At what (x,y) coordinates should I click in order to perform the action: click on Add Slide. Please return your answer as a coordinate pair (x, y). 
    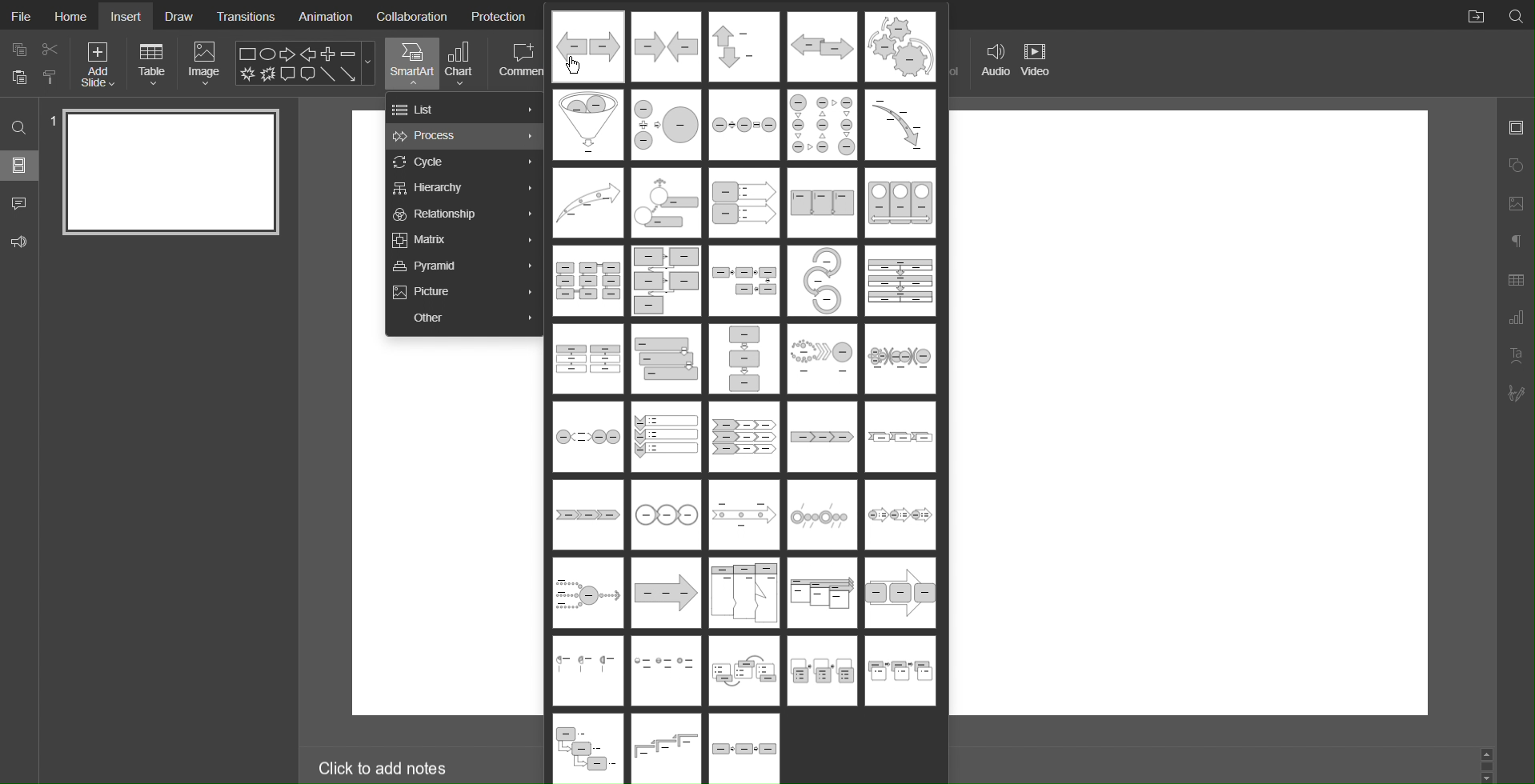
    Looking at the image, I should click on (100, 65).